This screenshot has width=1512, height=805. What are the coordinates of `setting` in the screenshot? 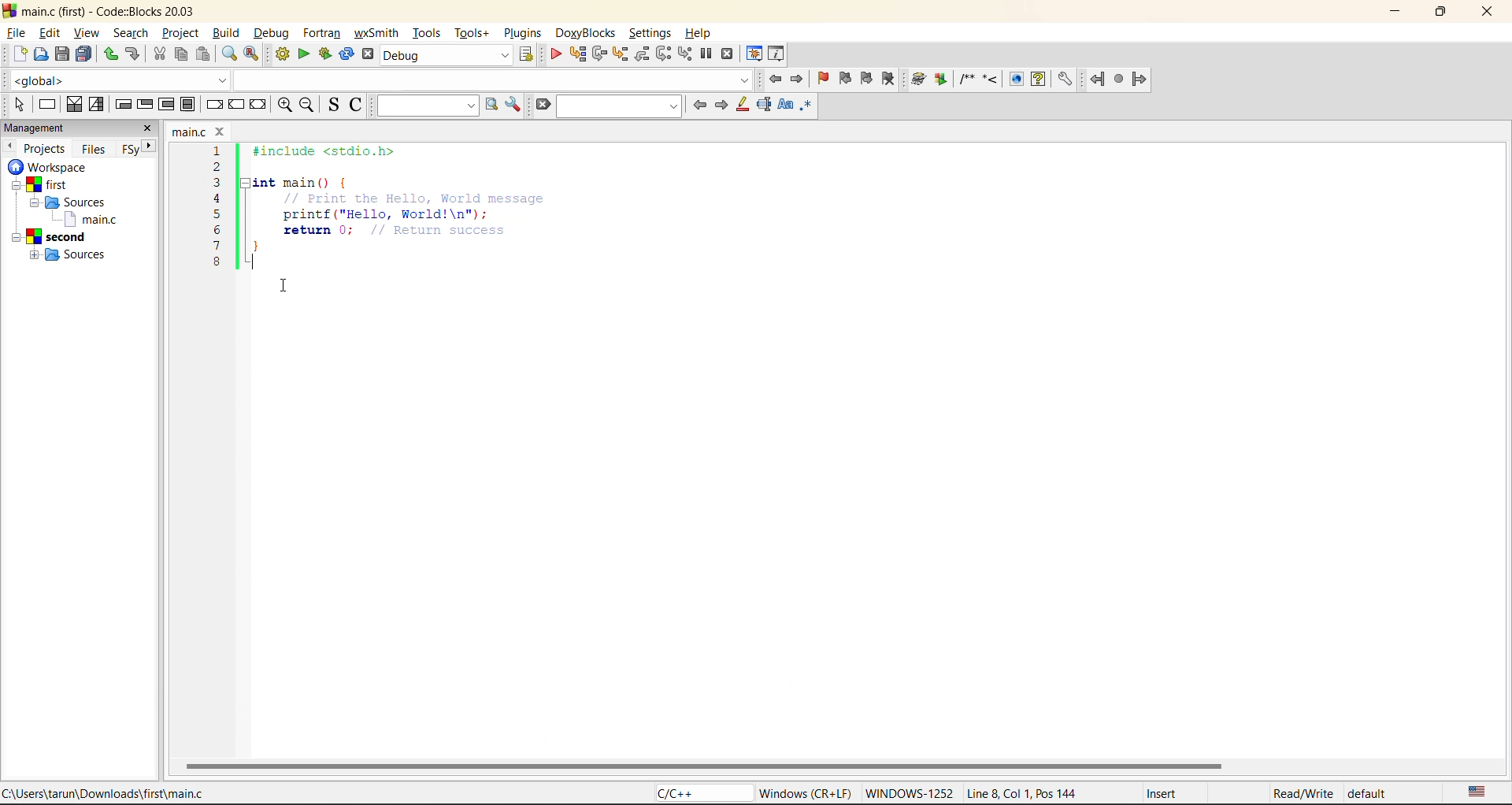 It's located at (1065, 80).